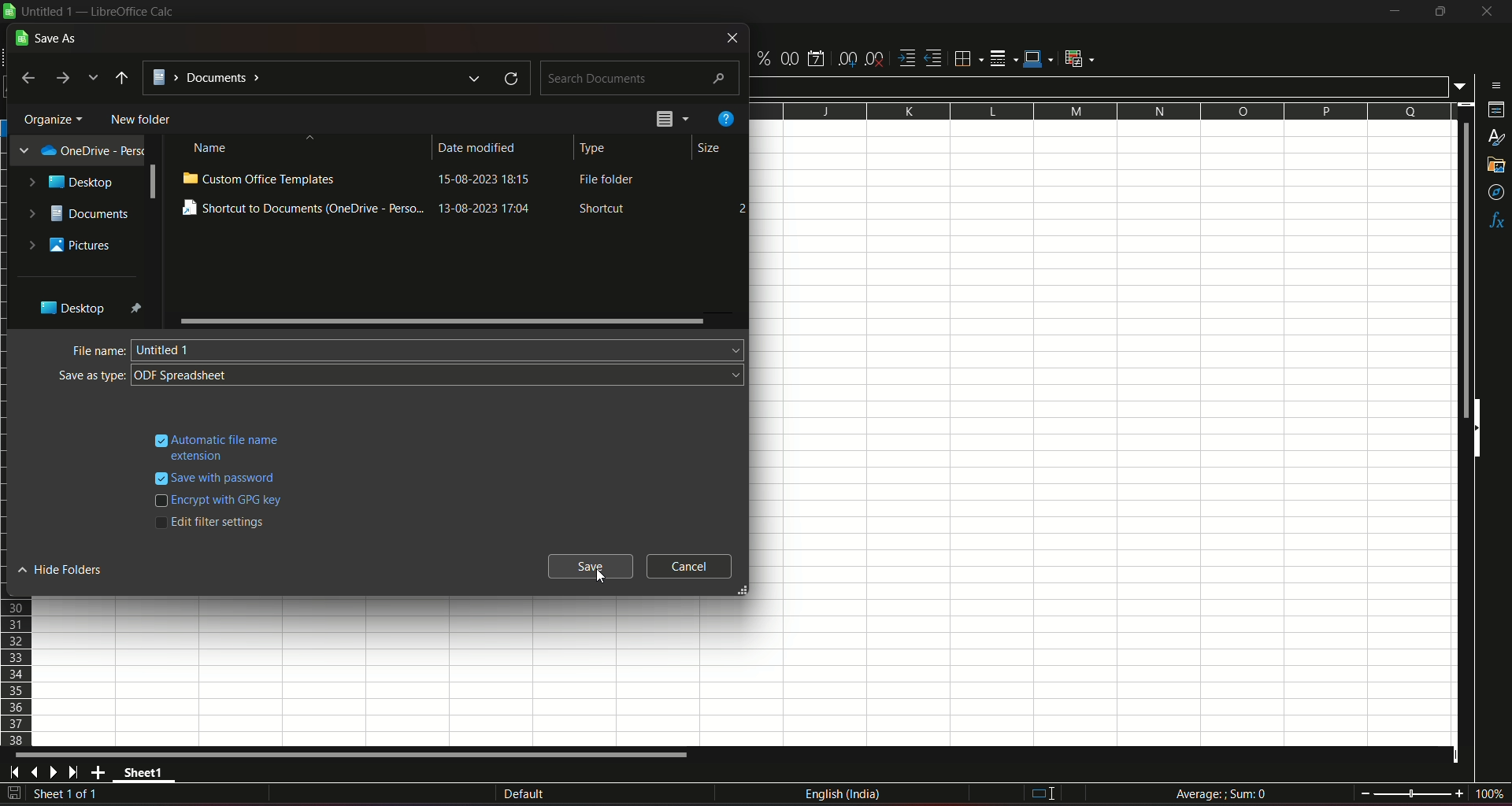  Describe the element at coordinates (672, 120) in the screenshot. I see `files` at that location.